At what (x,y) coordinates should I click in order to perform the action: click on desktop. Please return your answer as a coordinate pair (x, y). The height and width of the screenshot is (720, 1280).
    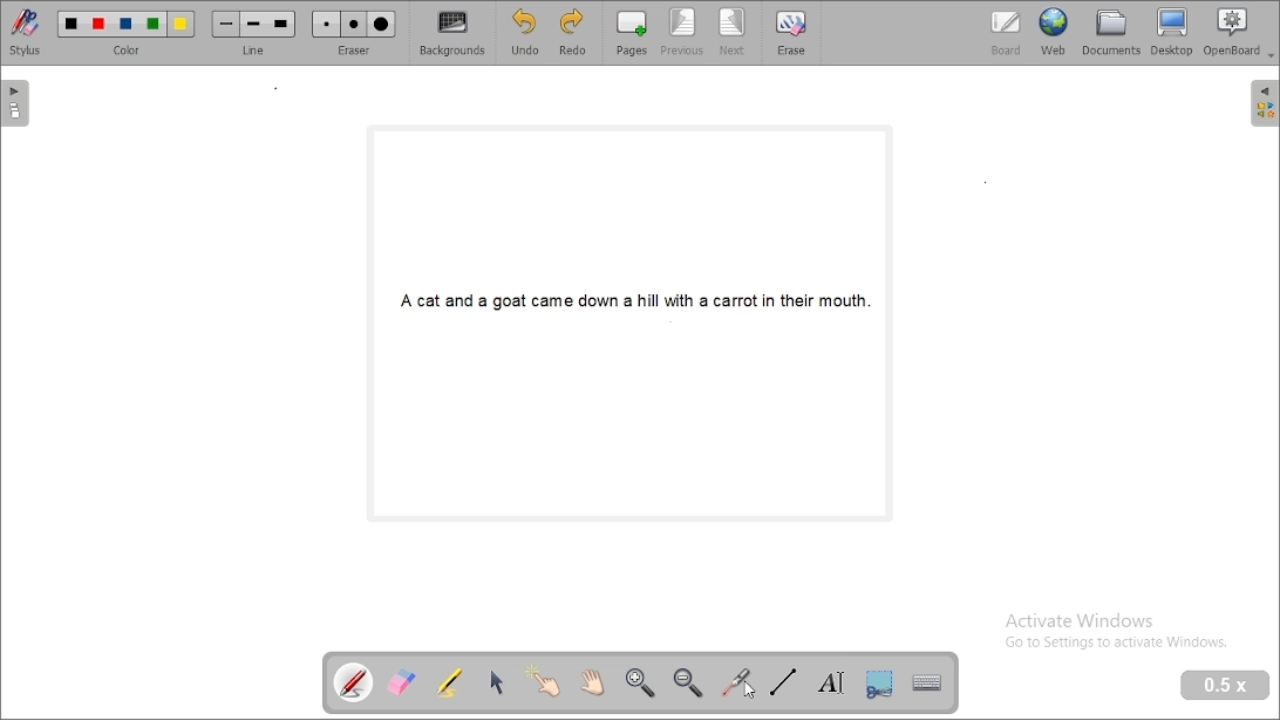
    Looking at the image, I should click on (1172, 32).